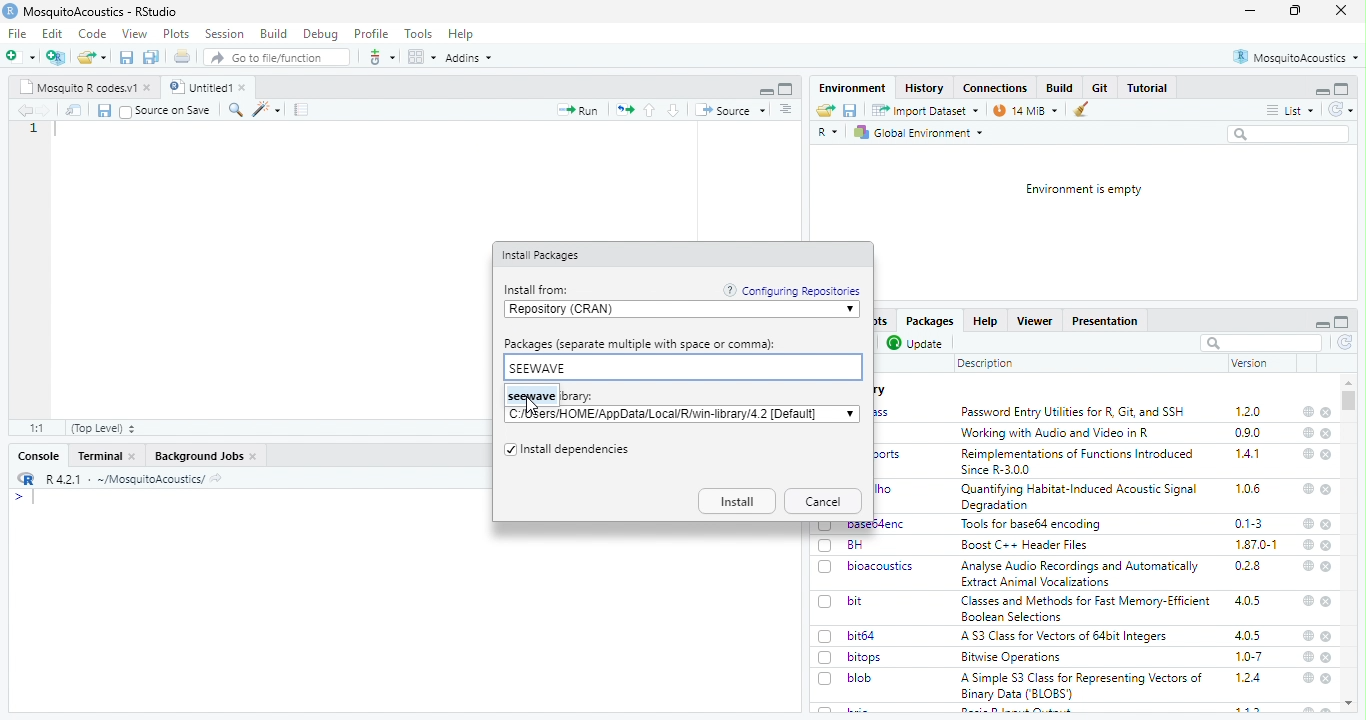 This screenshot has height=720, width=1366. Describe the element at coordinates (245, 87) in the screenshot. I see `close` at that location.